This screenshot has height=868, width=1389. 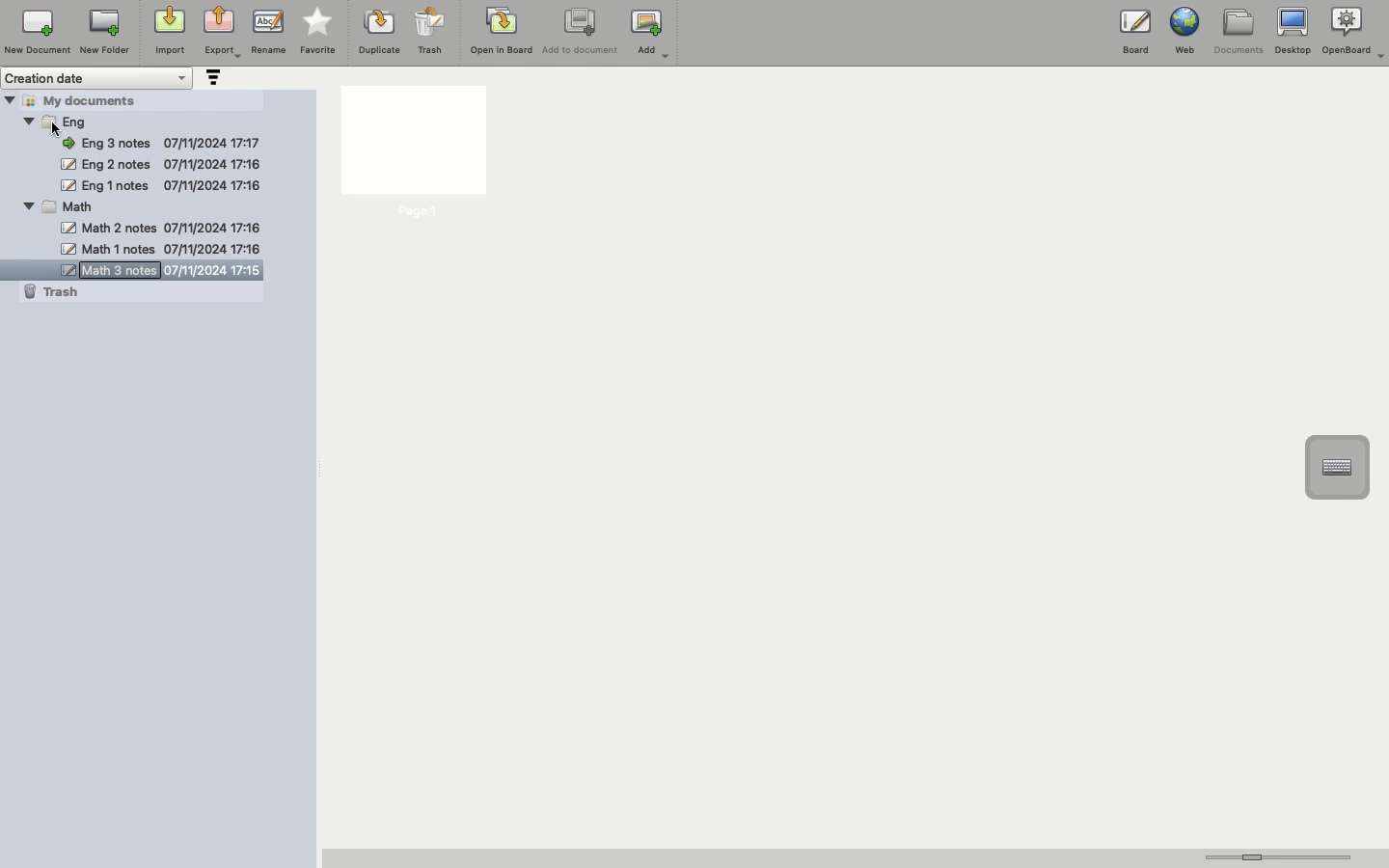 I want to click on New document, so click(x=38, y=32).